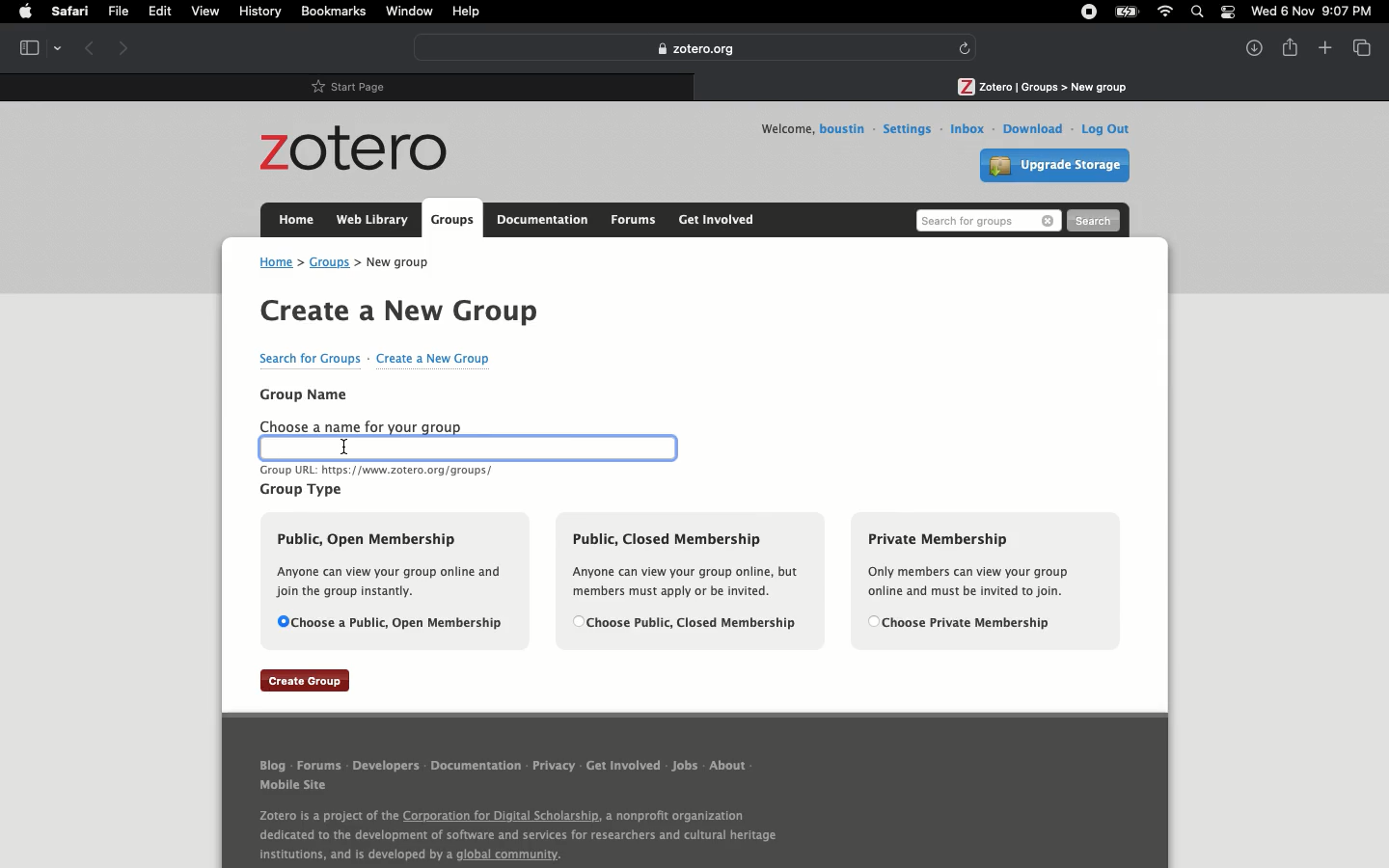  I want to click on Forums, so click(633, 218).